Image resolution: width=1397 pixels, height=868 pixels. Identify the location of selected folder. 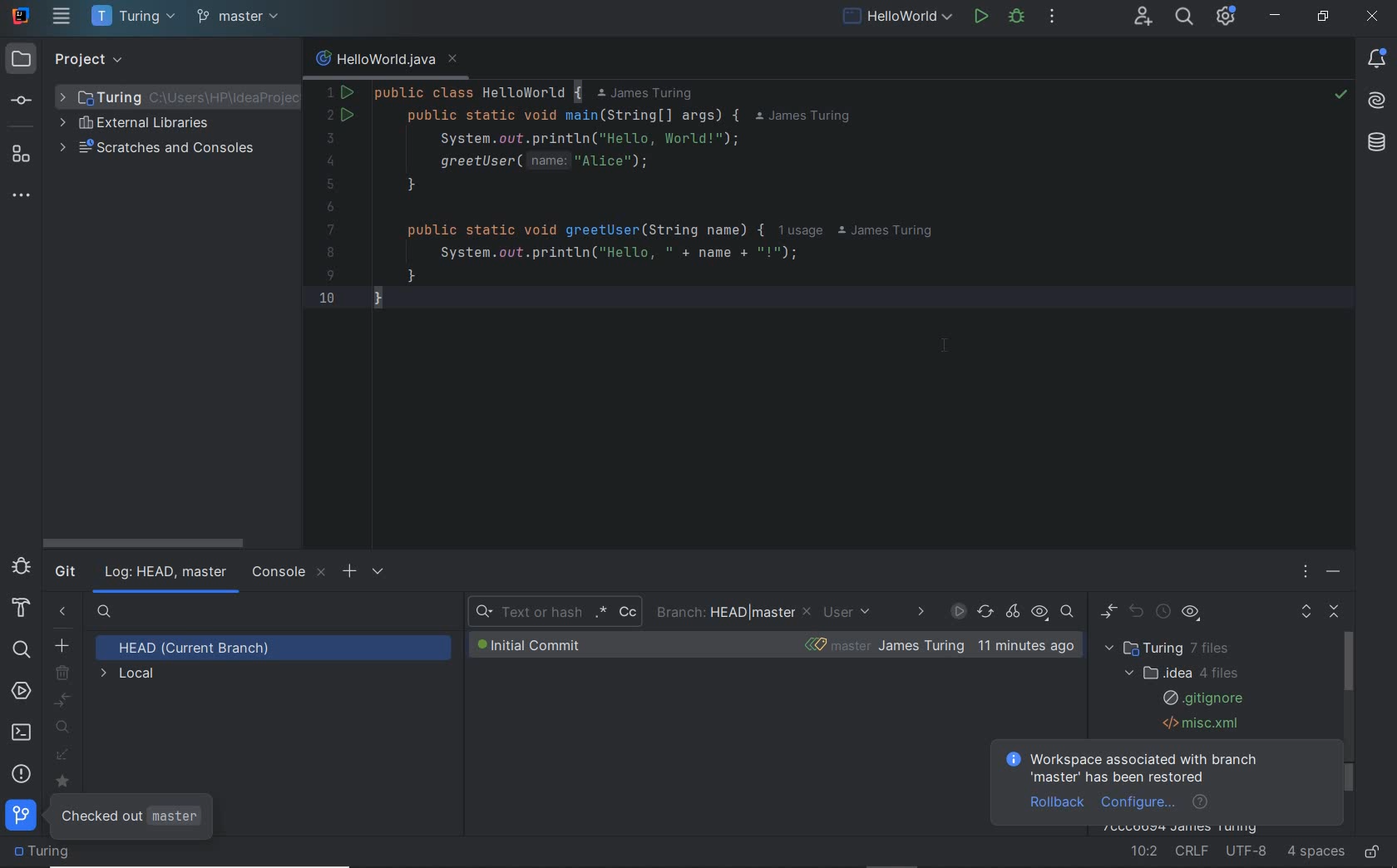
(175, 98).